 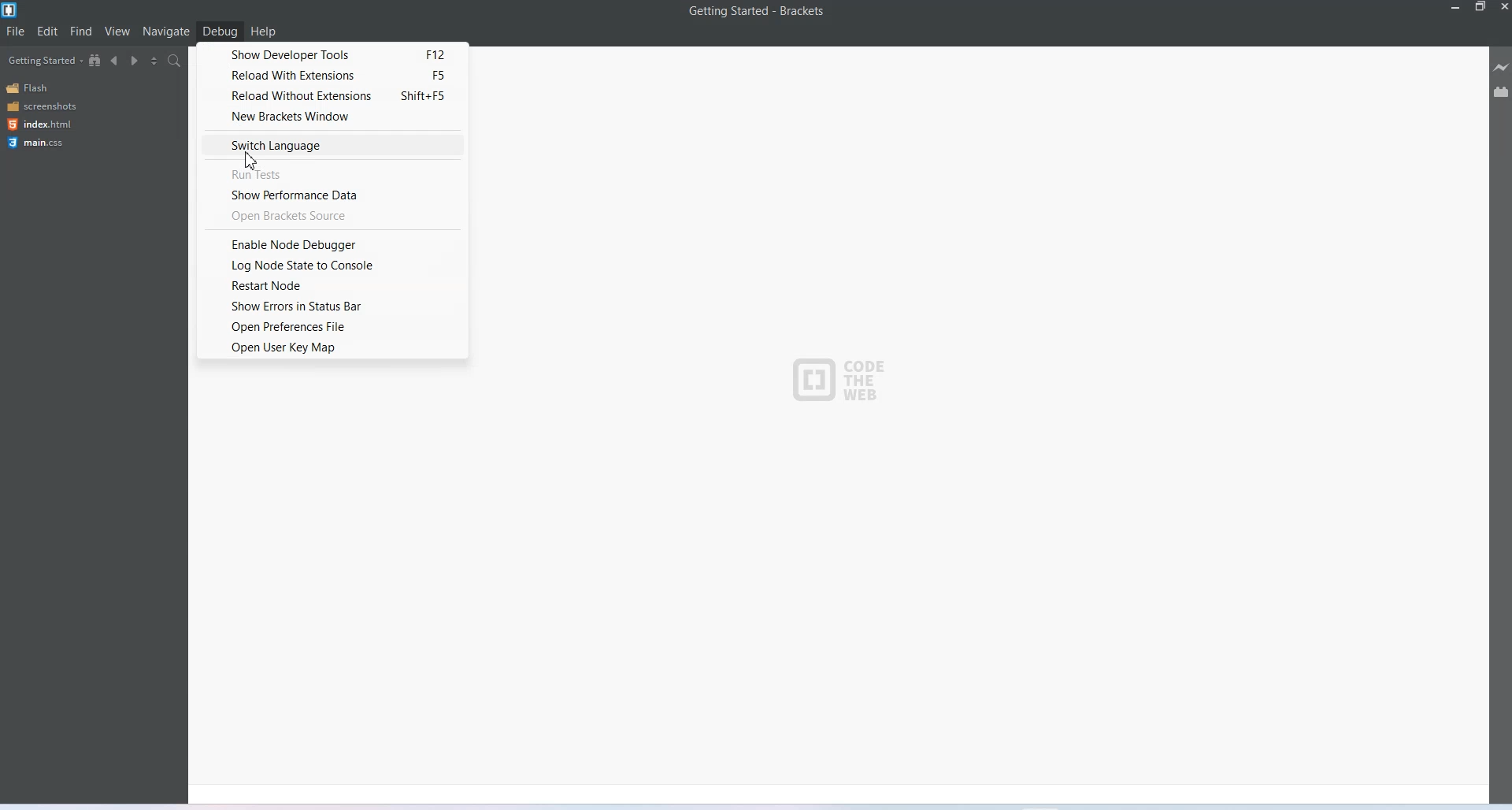 What do you see at coordinates (115, 61) in the screenshot?
I see `Navigate backward` at bounding box center [115, 61].